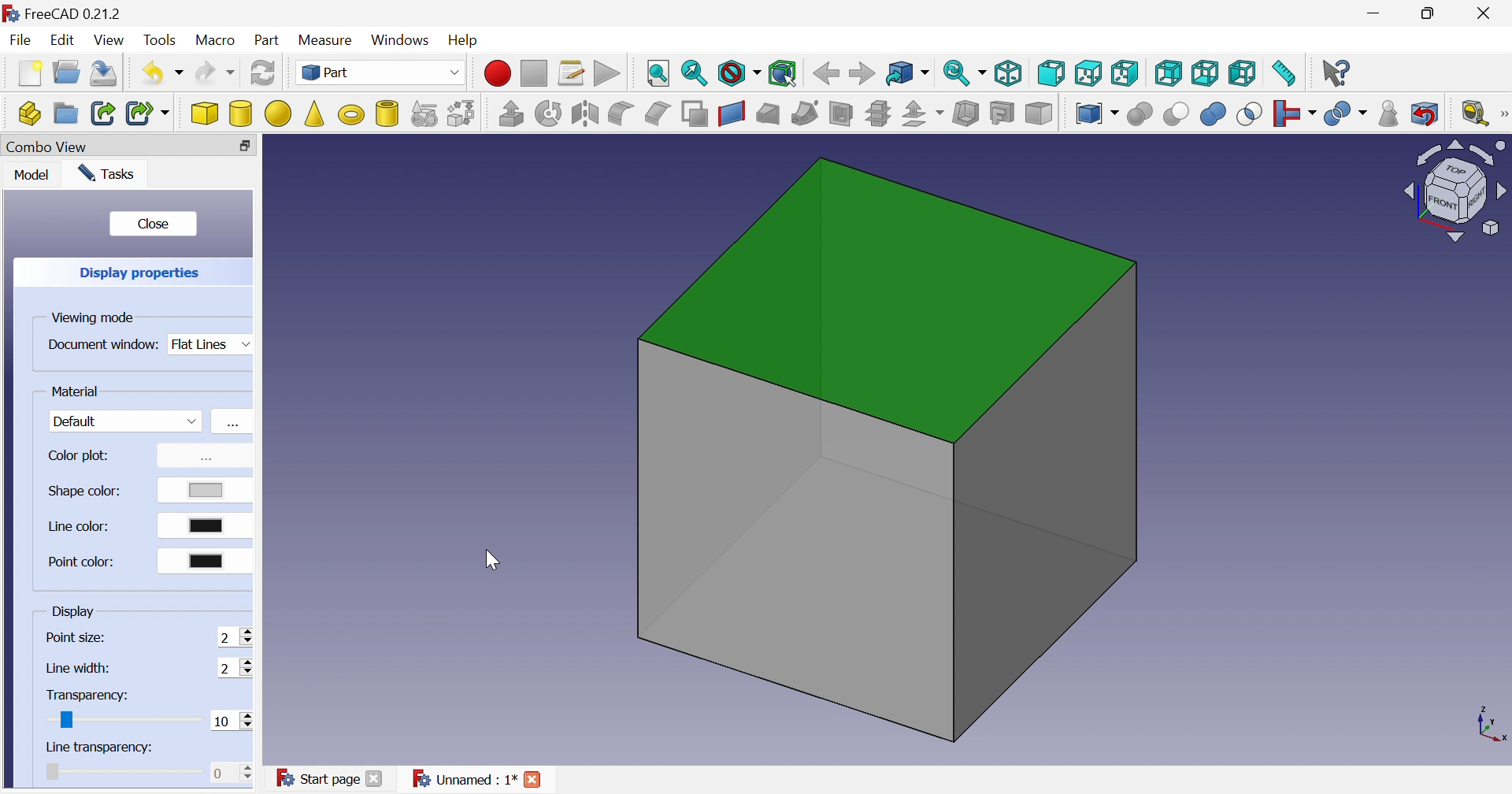 The image size is (1512, 794). I want to click on Macro, so click(216, 40).